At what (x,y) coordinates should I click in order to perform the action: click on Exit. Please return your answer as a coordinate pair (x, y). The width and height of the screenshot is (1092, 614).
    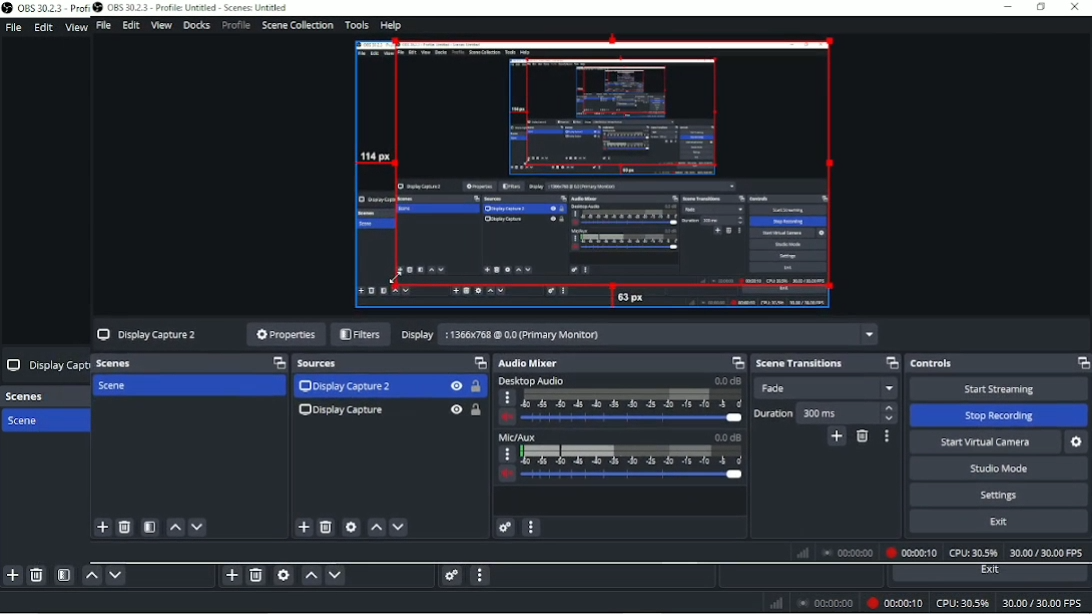
    Looking at the image, I should click on (990, 572).